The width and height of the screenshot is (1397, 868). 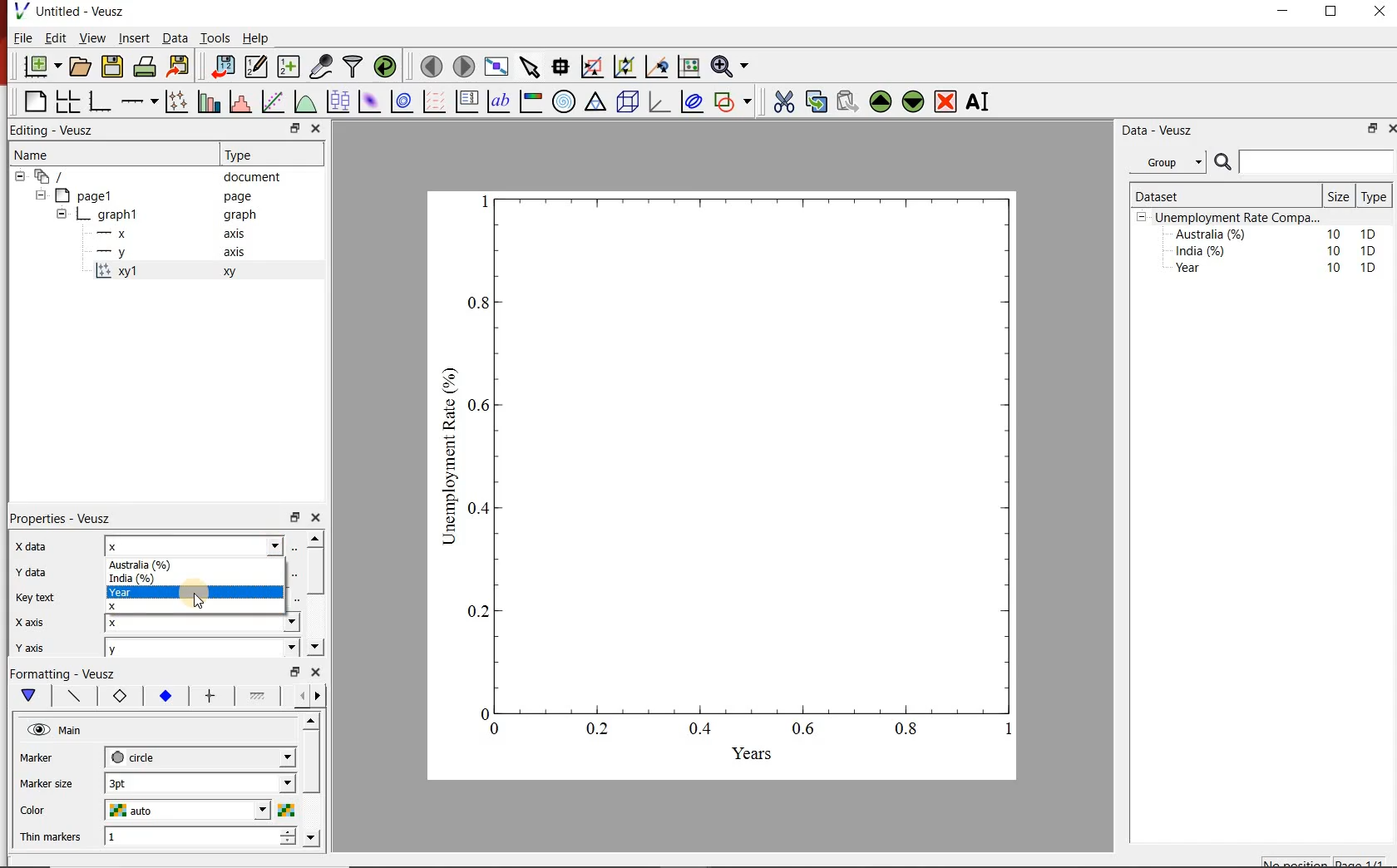 I want to click on move down, so click(x=311, y=838).